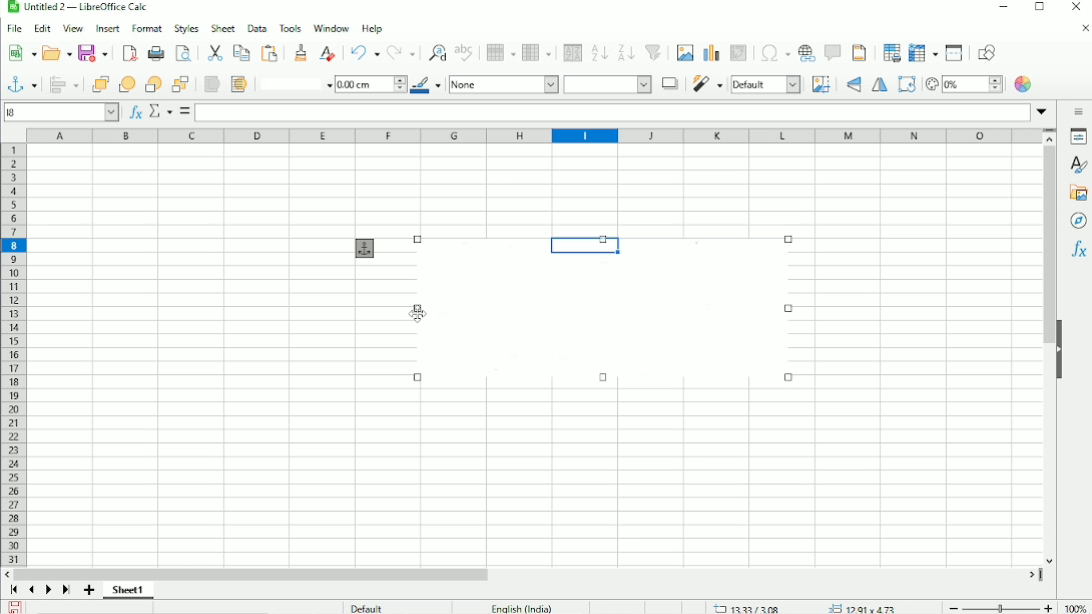 This screenshot has width=1092, height=614. What do you see at coordinates (766, 84) in the screenshot?
I see `Image mode` at bounding box center [766, 84].